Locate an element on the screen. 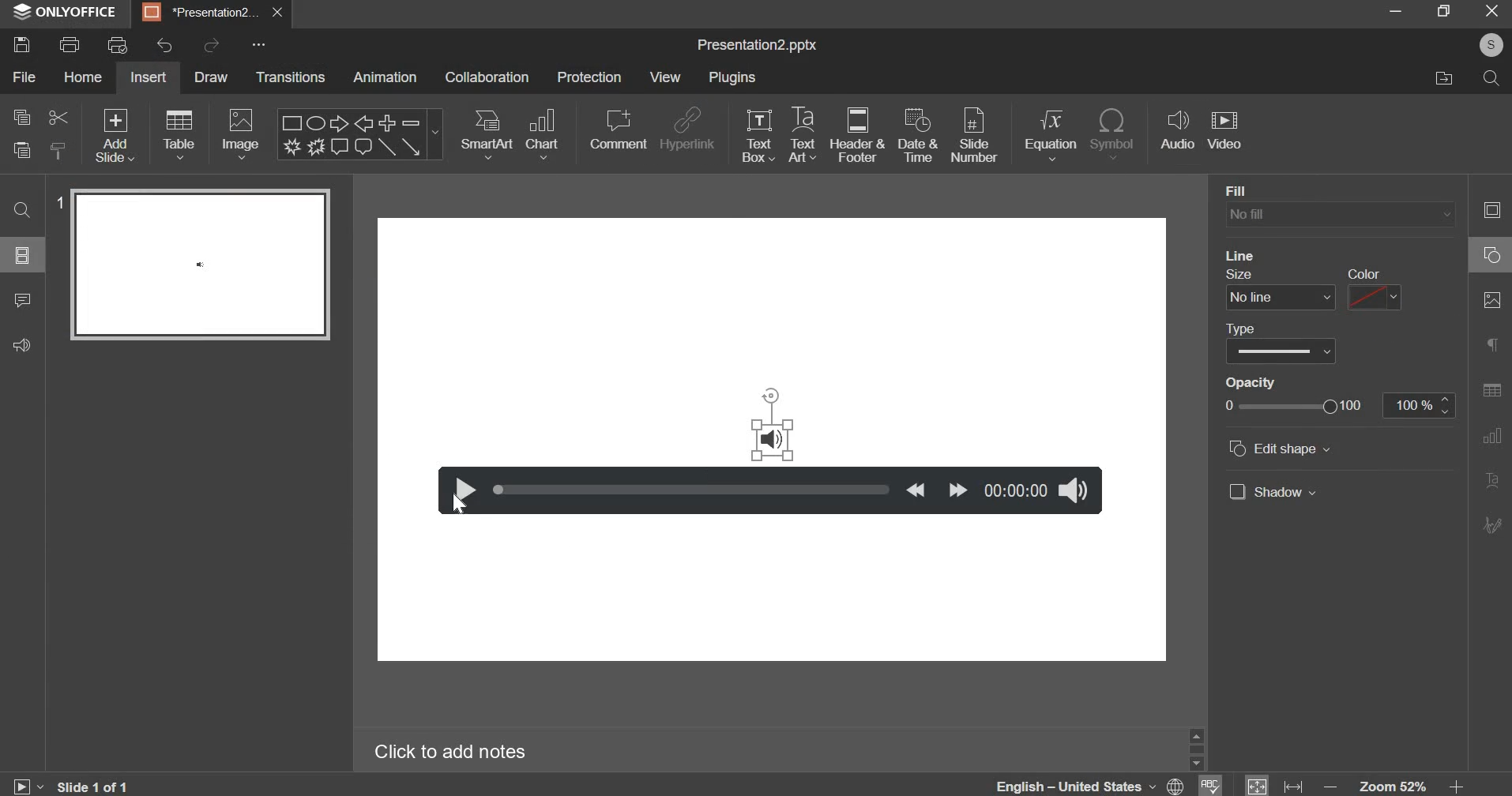  no fill is located at coordinates (1340, 216).